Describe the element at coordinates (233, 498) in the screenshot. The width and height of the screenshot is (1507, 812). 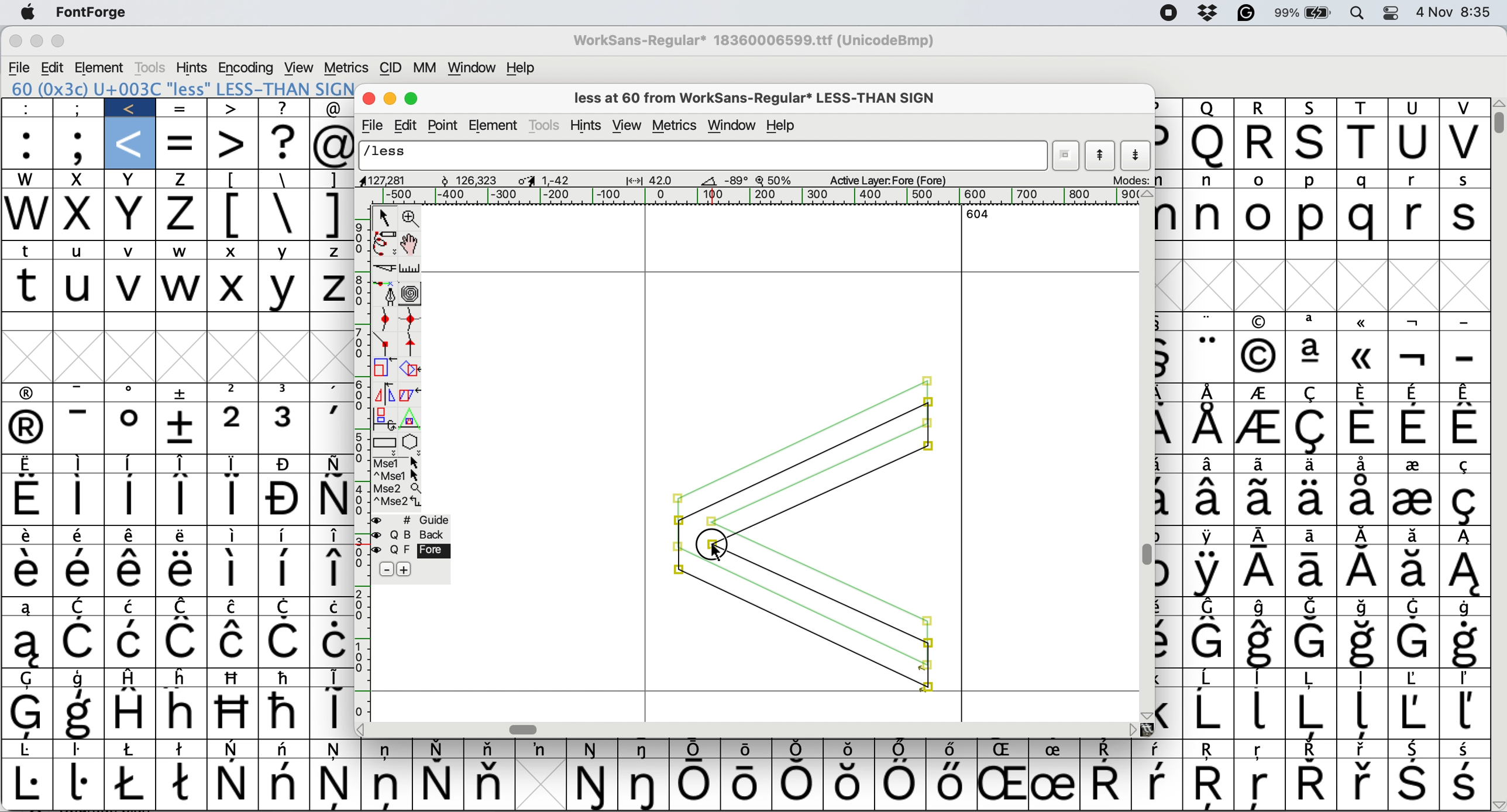
I see `Symbol` at that location.